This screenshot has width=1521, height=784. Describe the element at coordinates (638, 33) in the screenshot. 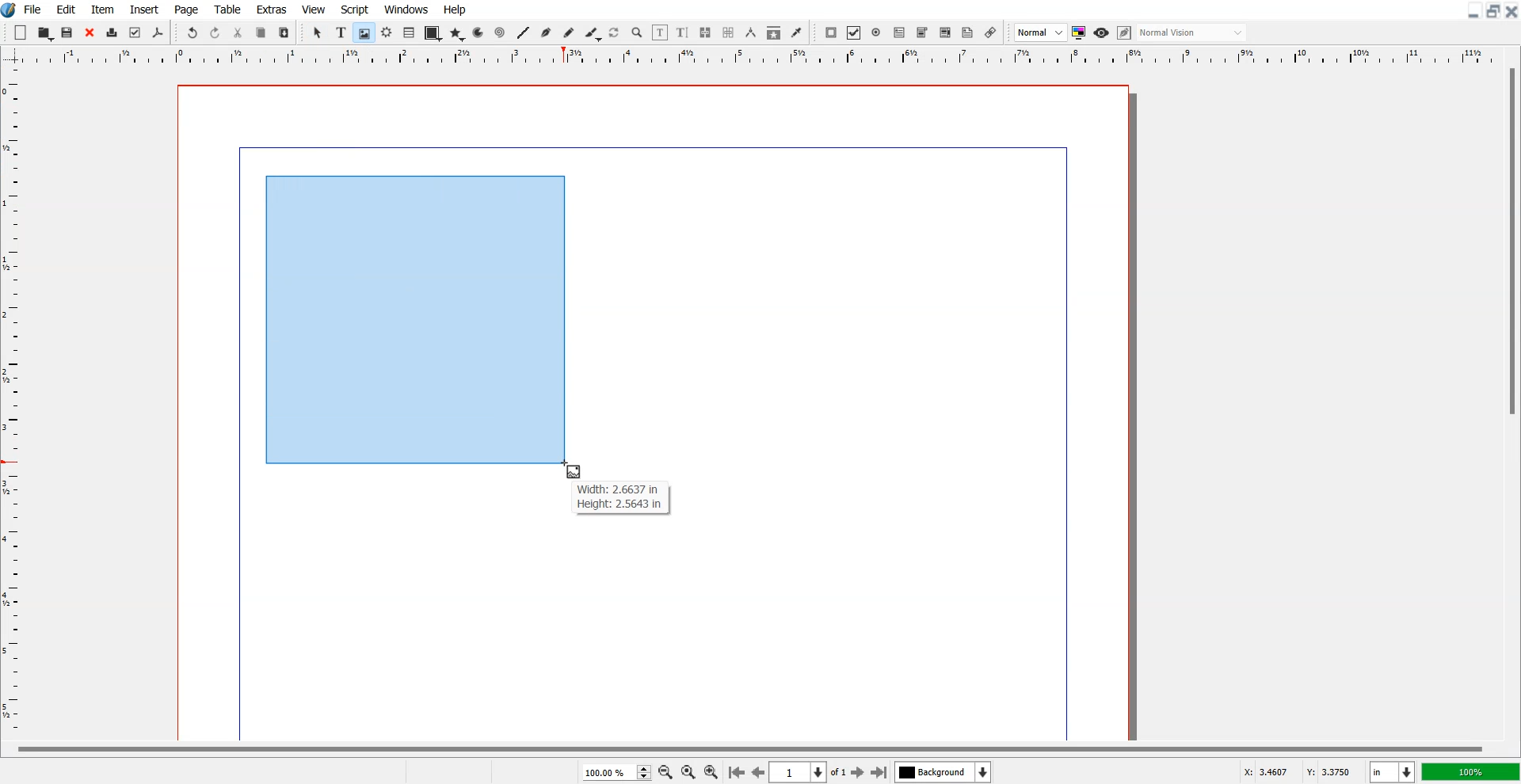

I see `Zoom in or Out` at that location.